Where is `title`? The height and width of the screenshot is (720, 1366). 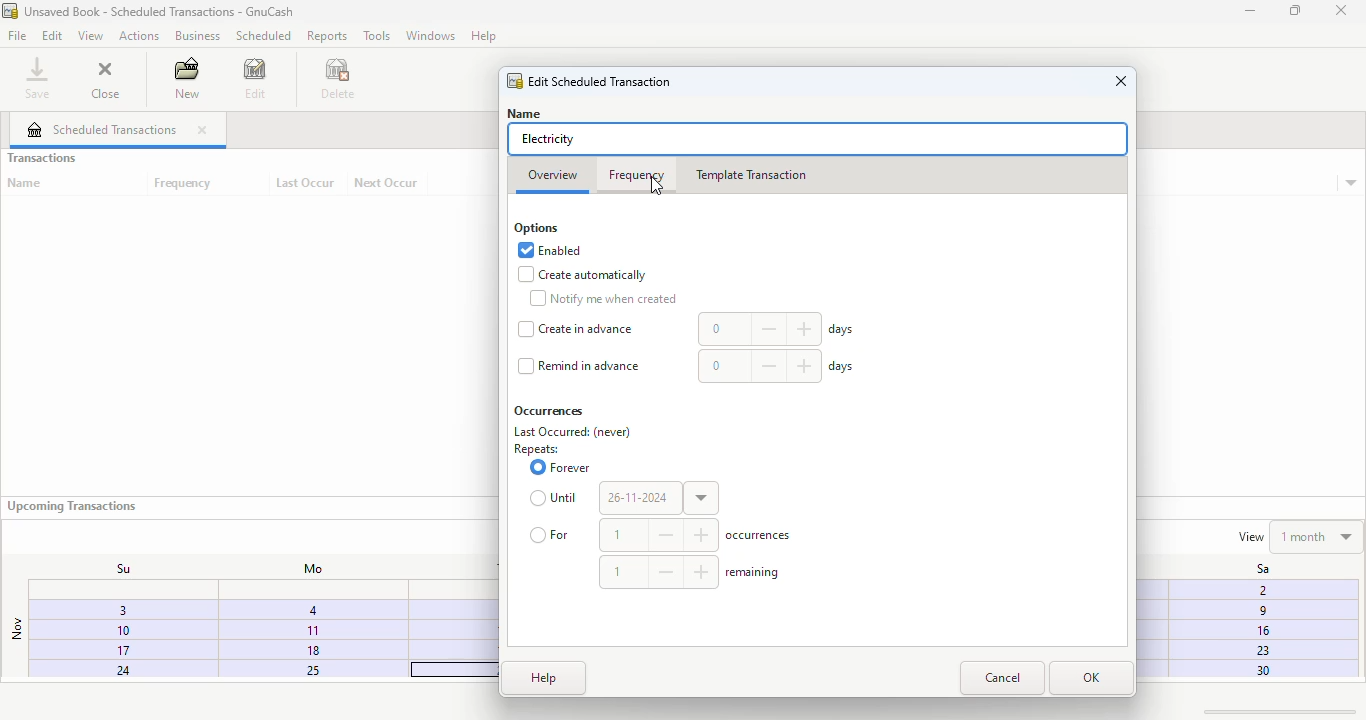 title is located at coordinates (160, 11).